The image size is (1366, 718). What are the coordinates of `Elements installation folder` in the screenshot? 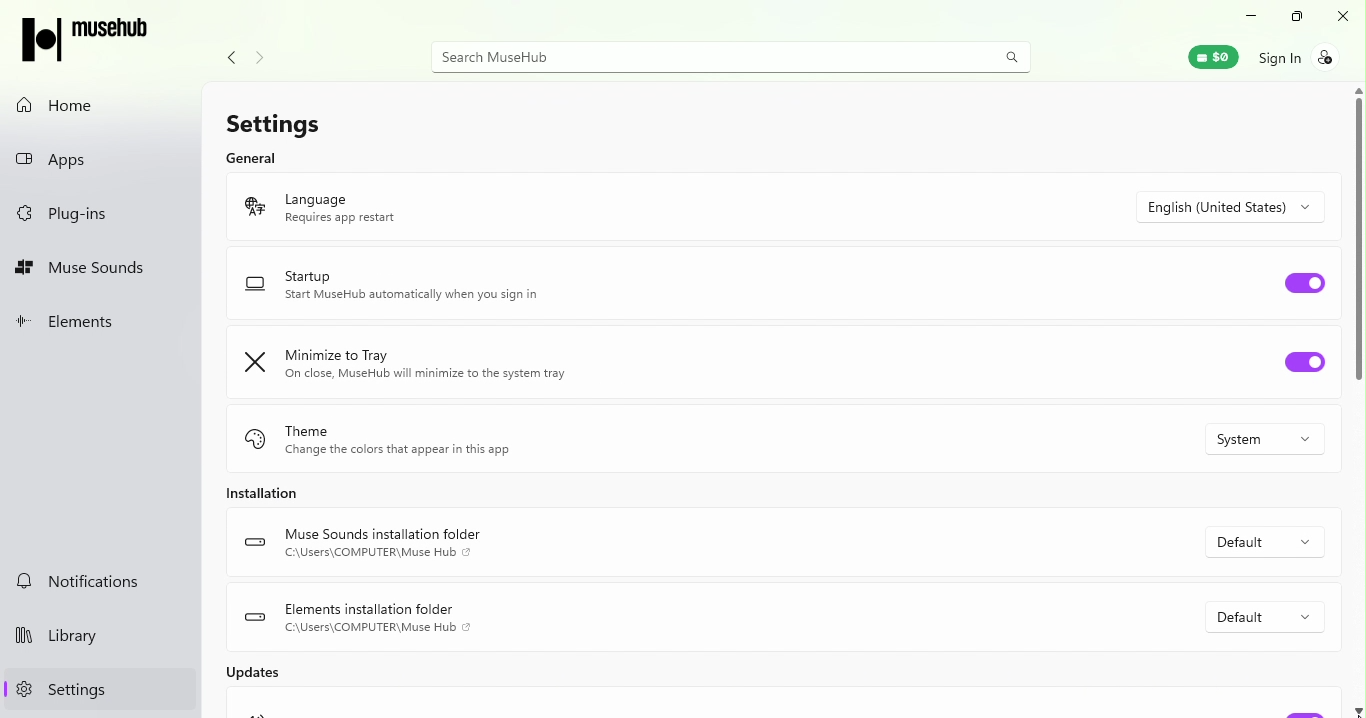 It's located at (365, 617).